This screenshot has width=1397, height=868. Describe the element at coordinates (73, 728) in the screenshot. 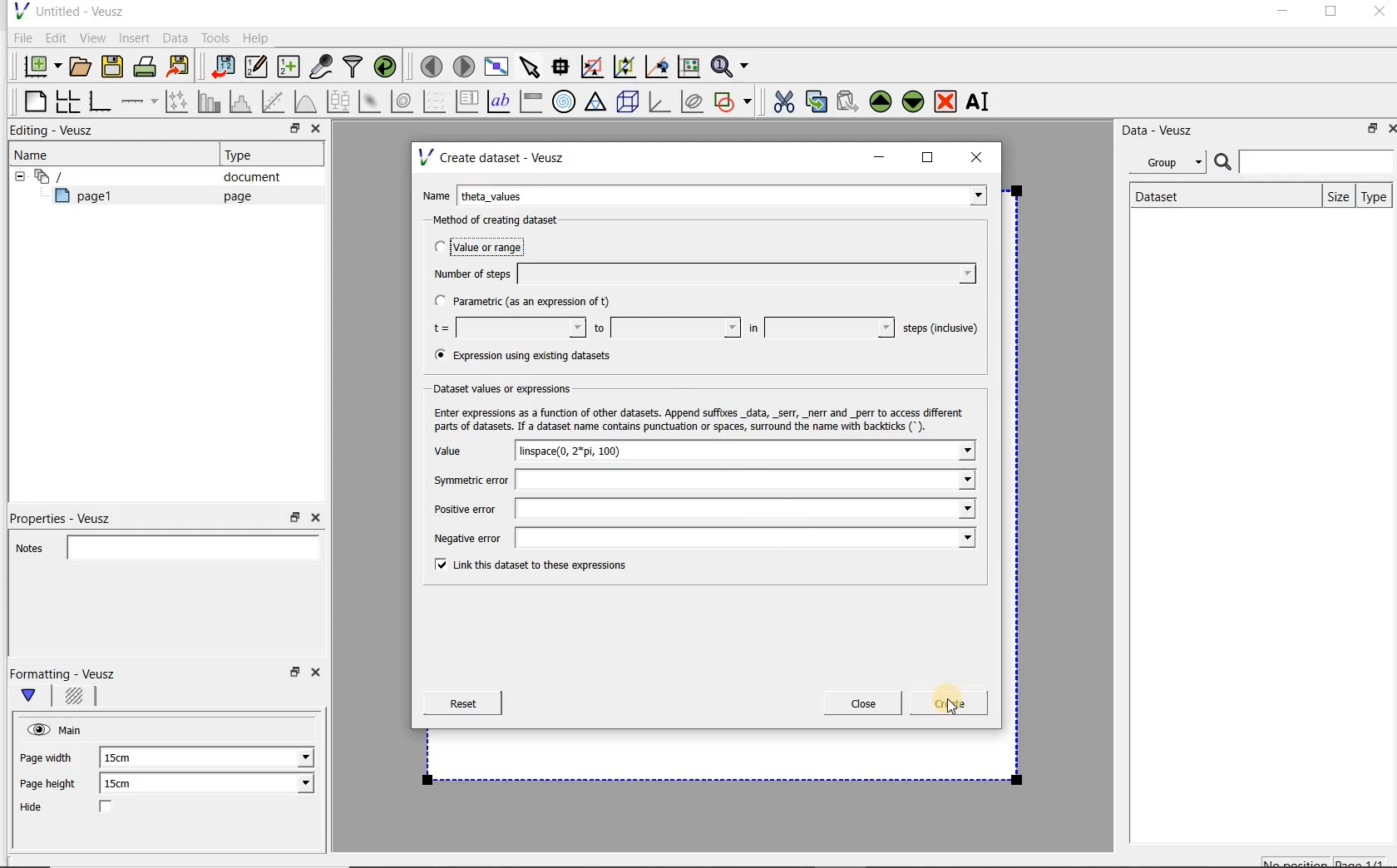

I see `Main` at that location.